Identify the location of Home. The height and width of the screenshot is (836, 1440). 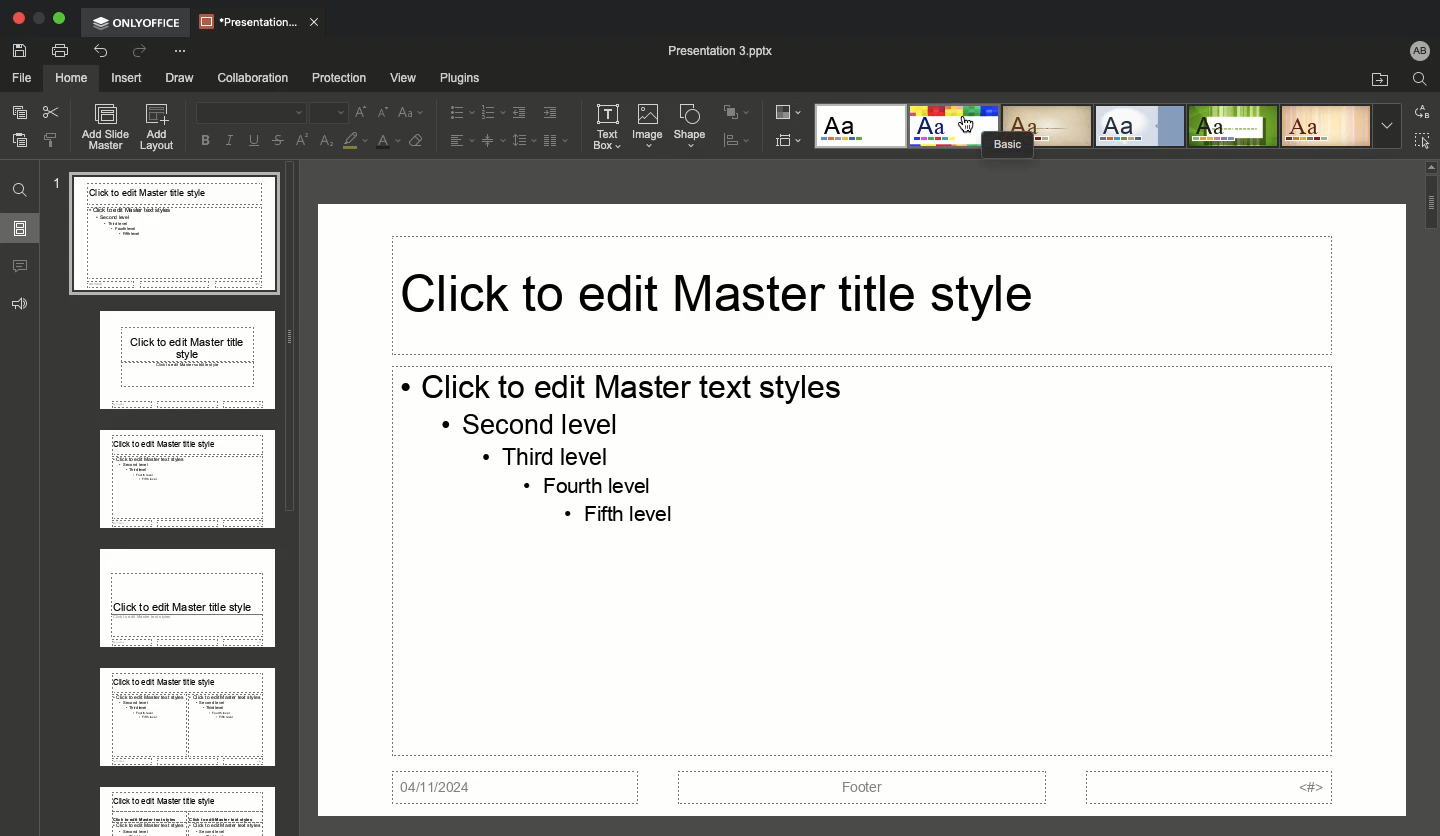
(69, 78).